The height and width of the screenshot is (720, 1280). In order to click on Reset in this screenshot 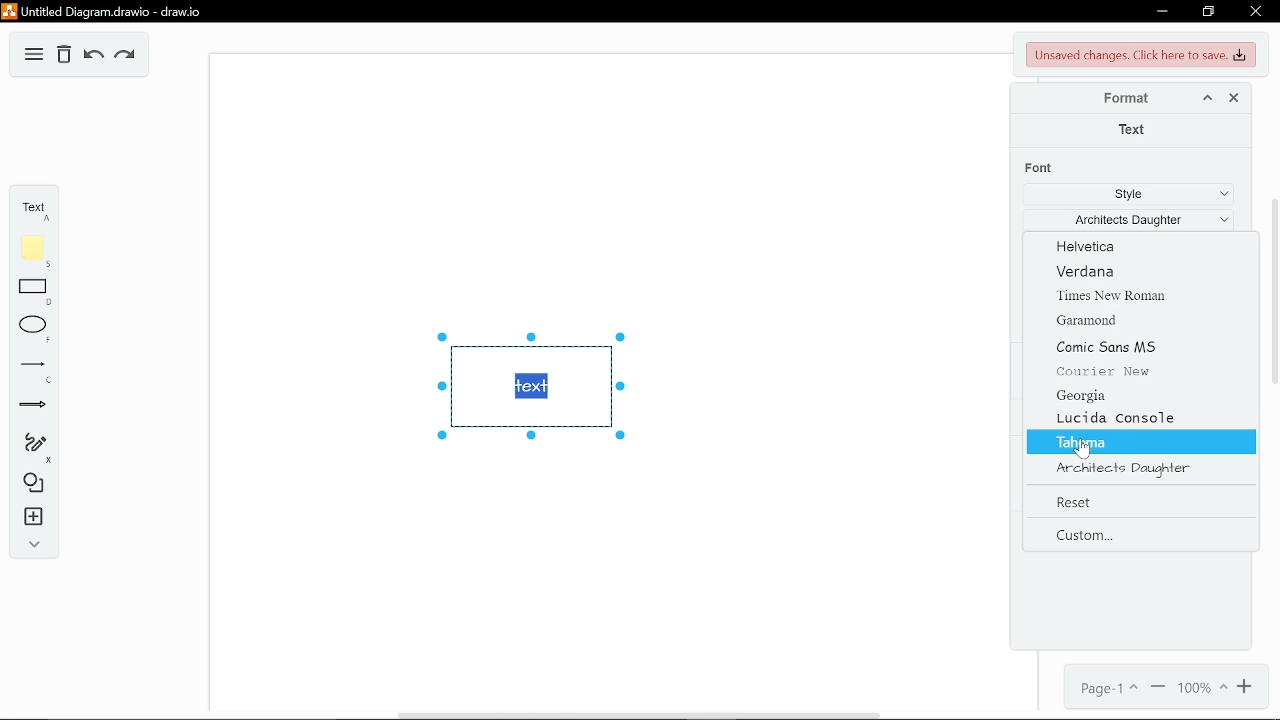, I will do `click(1141, 502)`.